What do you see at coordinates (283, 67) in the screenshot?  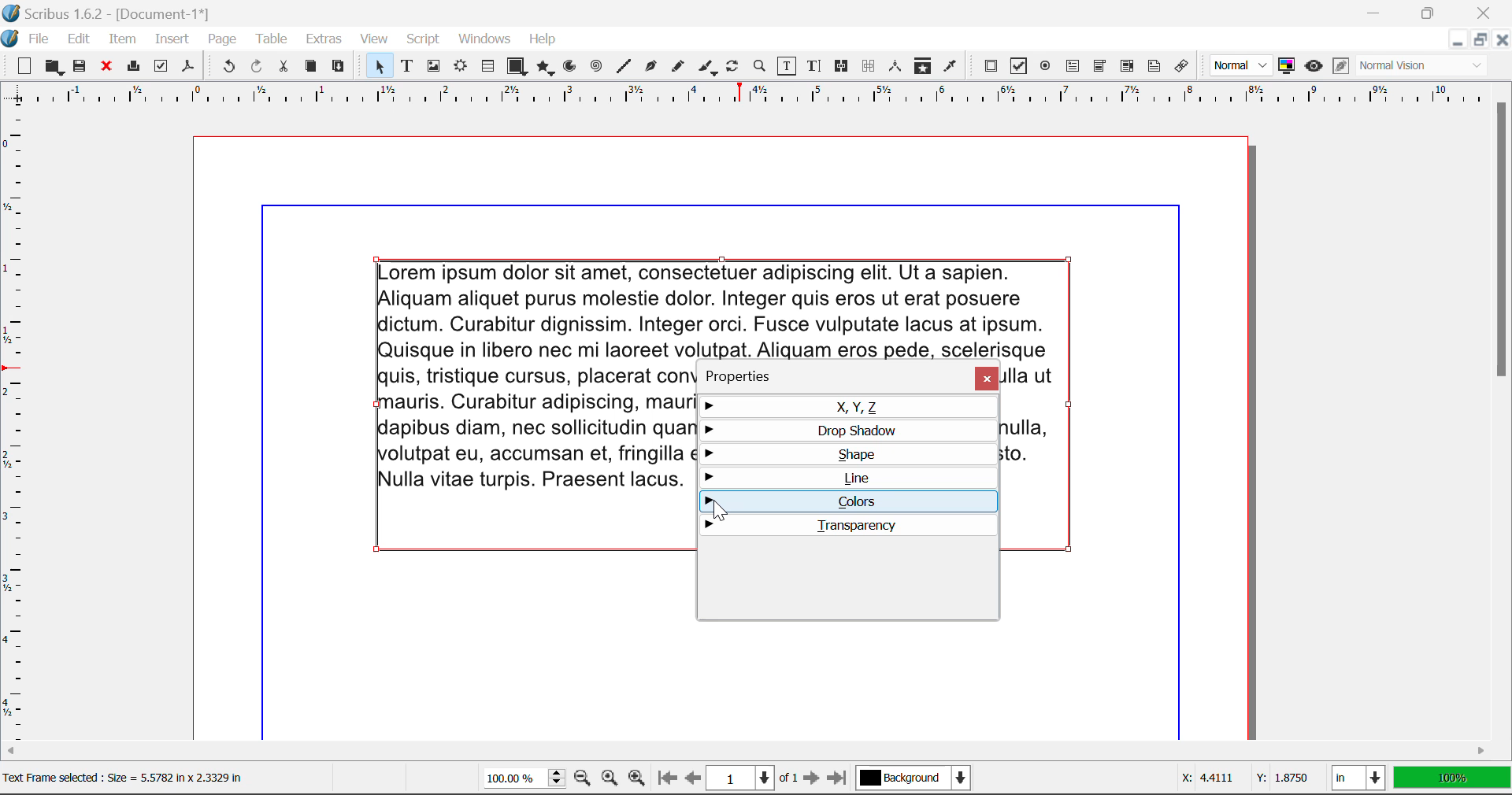 I see `Cut` at bounding box center [283, 67].